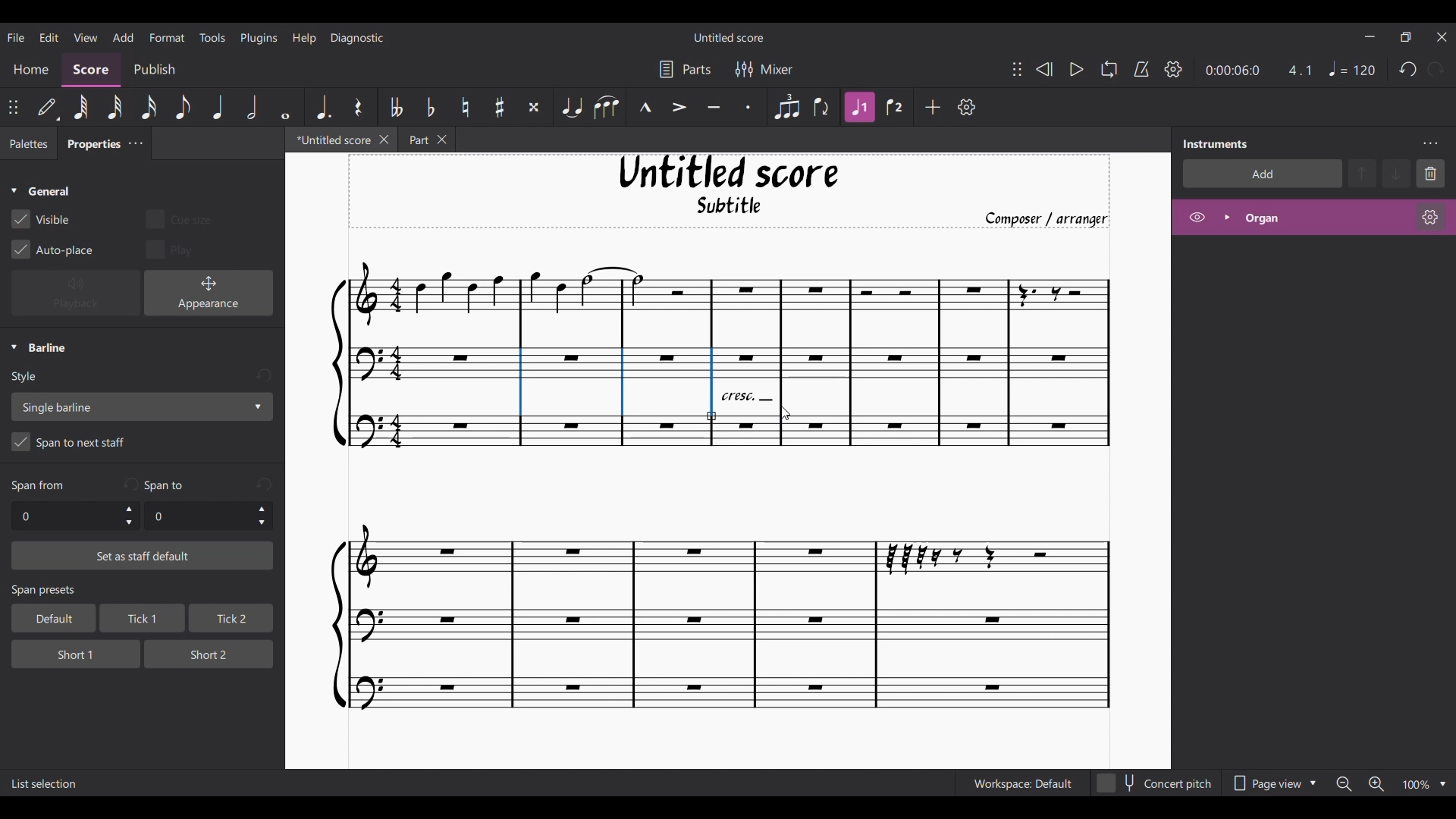  Describe the element at coordinates (85, 36) in the screenshot. I see `View menu` at that location.